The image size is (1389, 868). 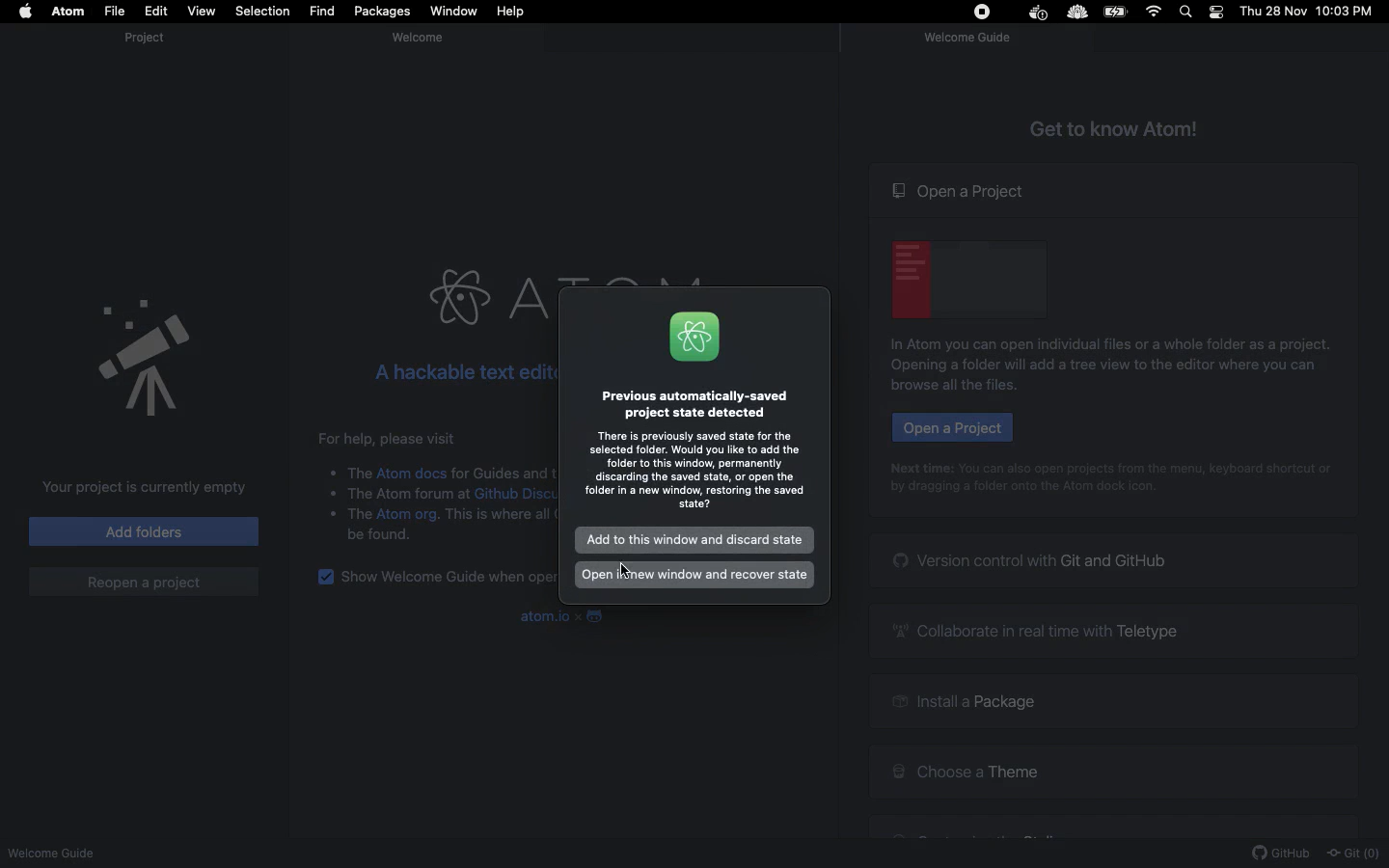 What do you see at coordinates (593, 616) in the screenshot?
I see `Logo` at bounding box center [593, 616].